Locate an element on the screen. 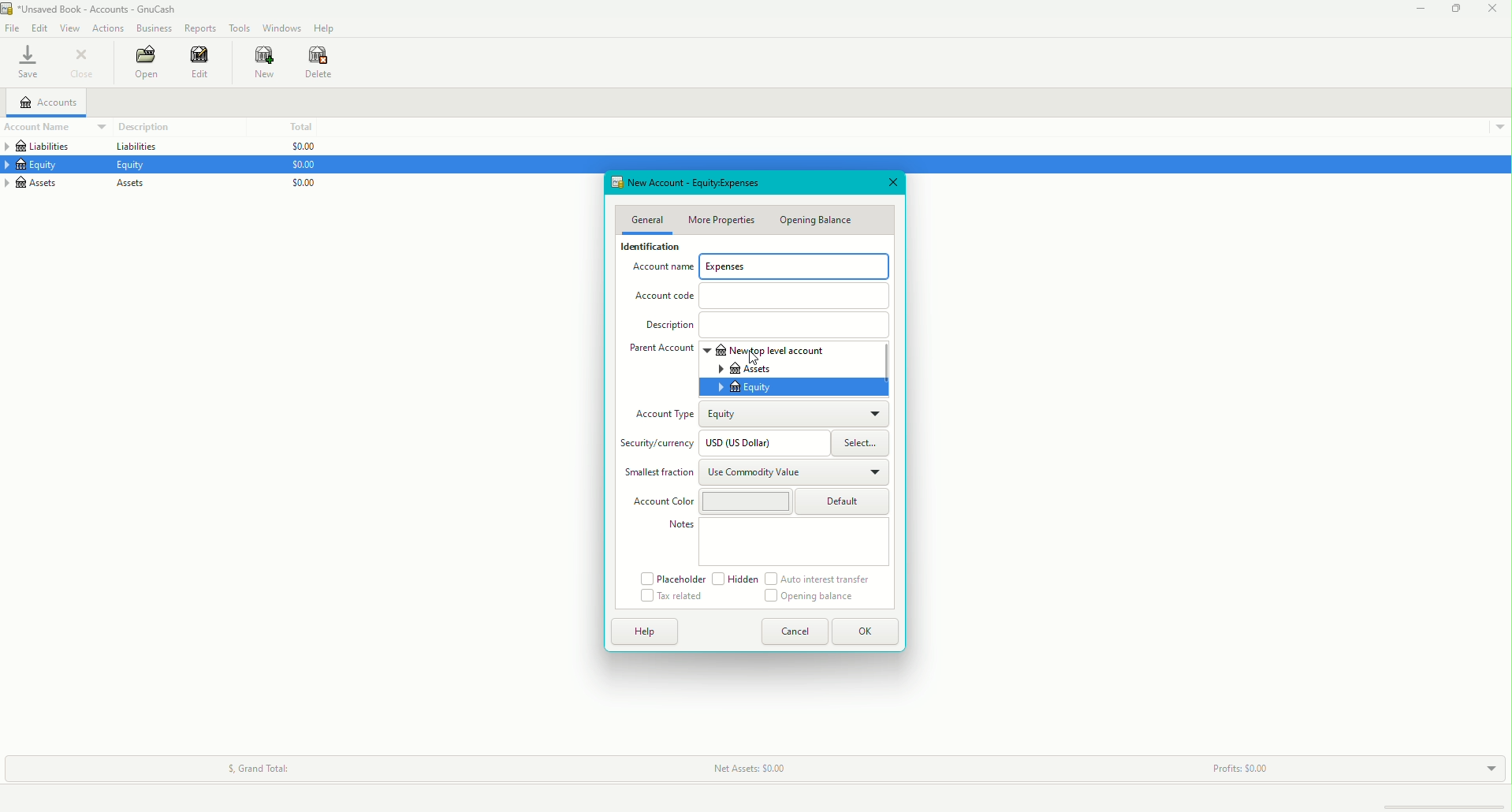 This screenshot has height=812, width=1512. Placeholder is located at coordinates (672, 579).